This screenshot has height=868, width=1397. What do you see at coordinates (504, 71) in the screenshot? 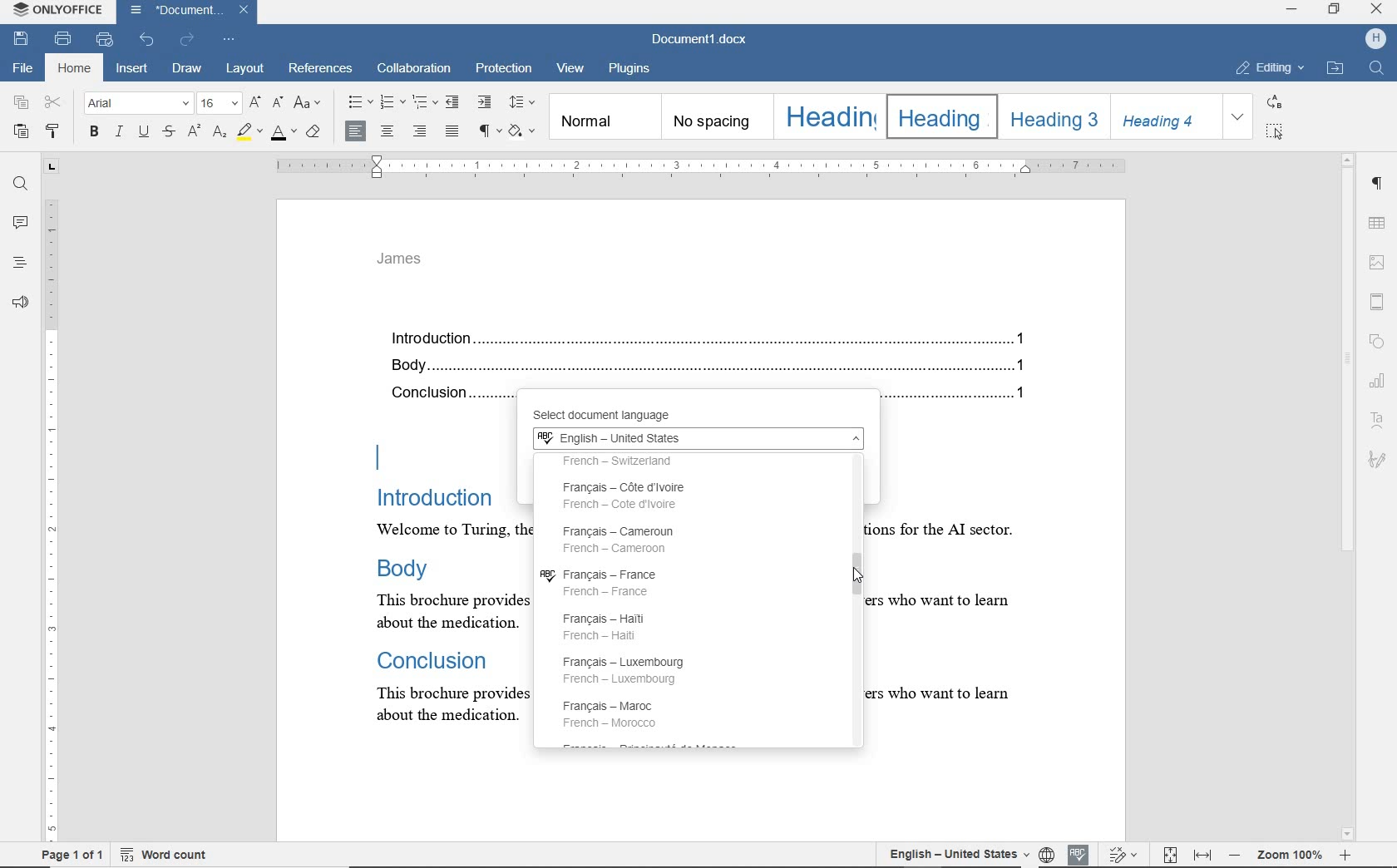
I see `protection` at bounding box center [504, 71].